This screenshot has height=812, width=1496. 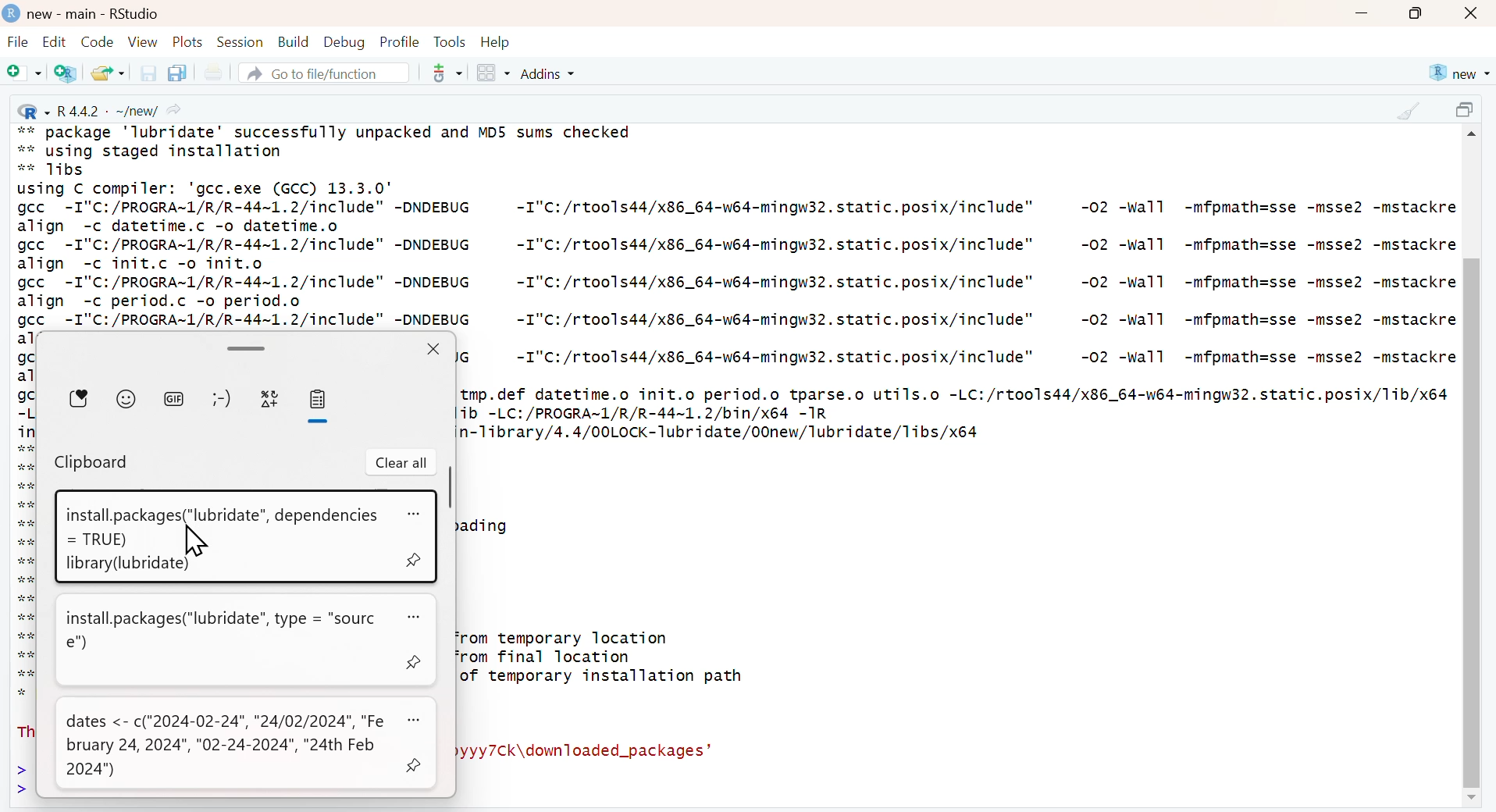 I want to click on pin, so click(x=416, y=560).